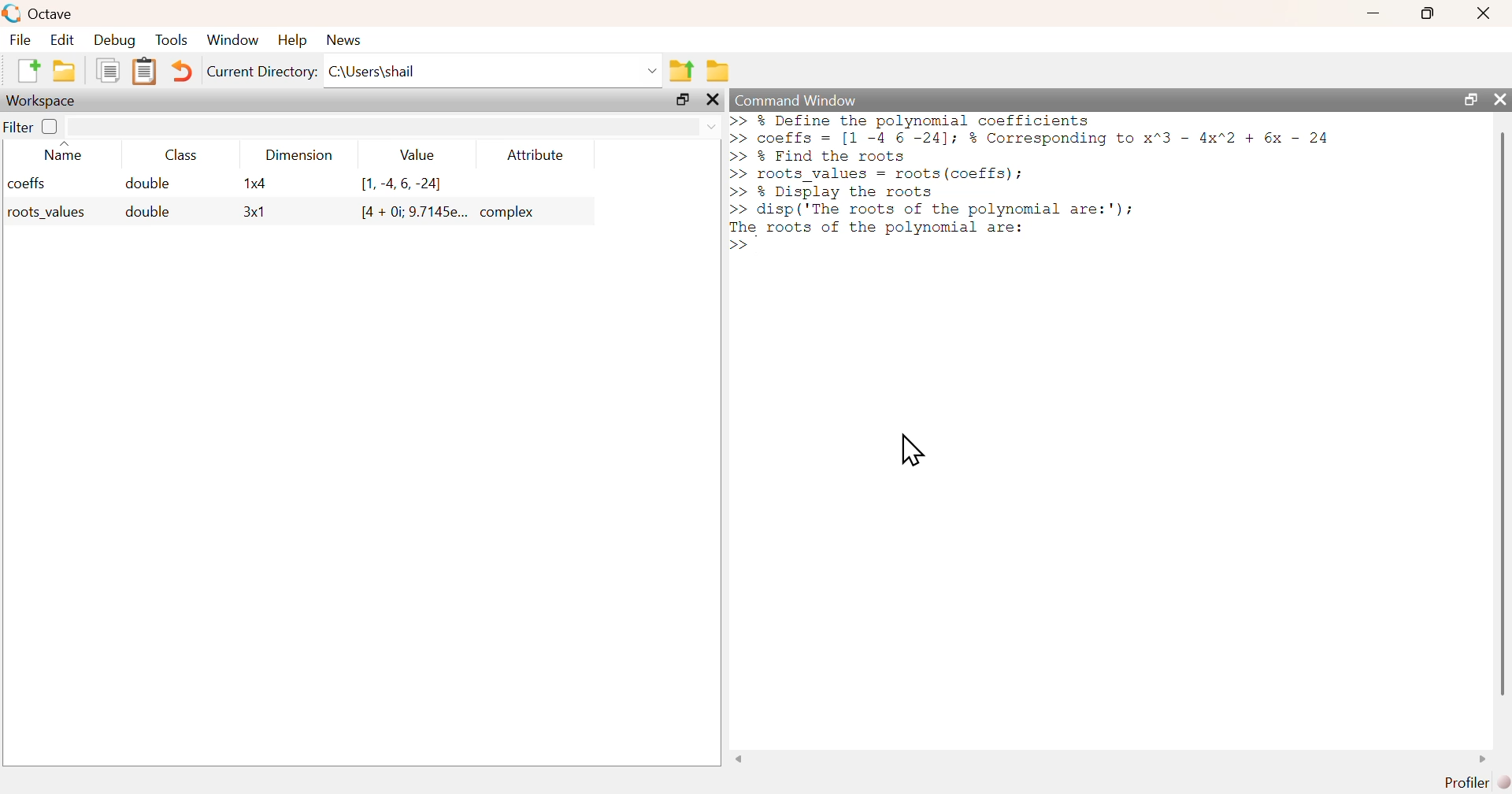  I want to click on Command Window, so click(796, 101).